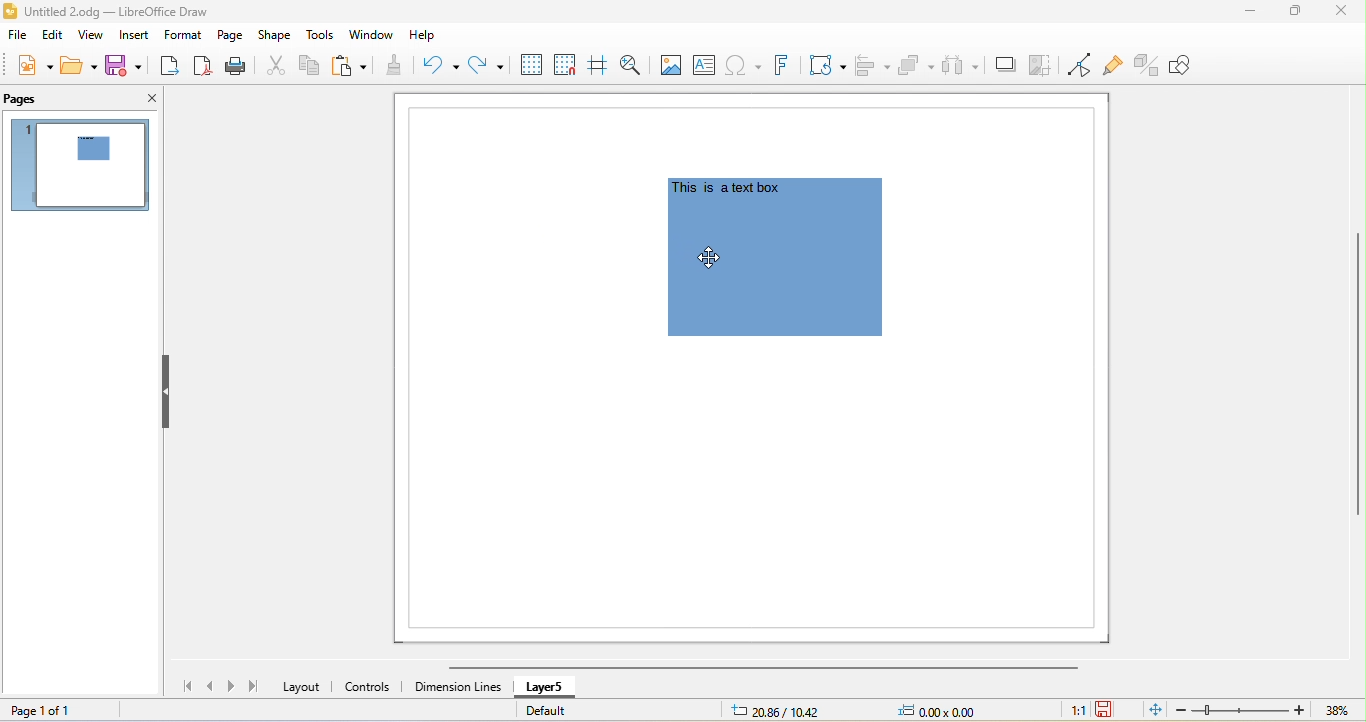  Describe the element at coordinates (171, 67) in the screenshot. I see `export` at that location.